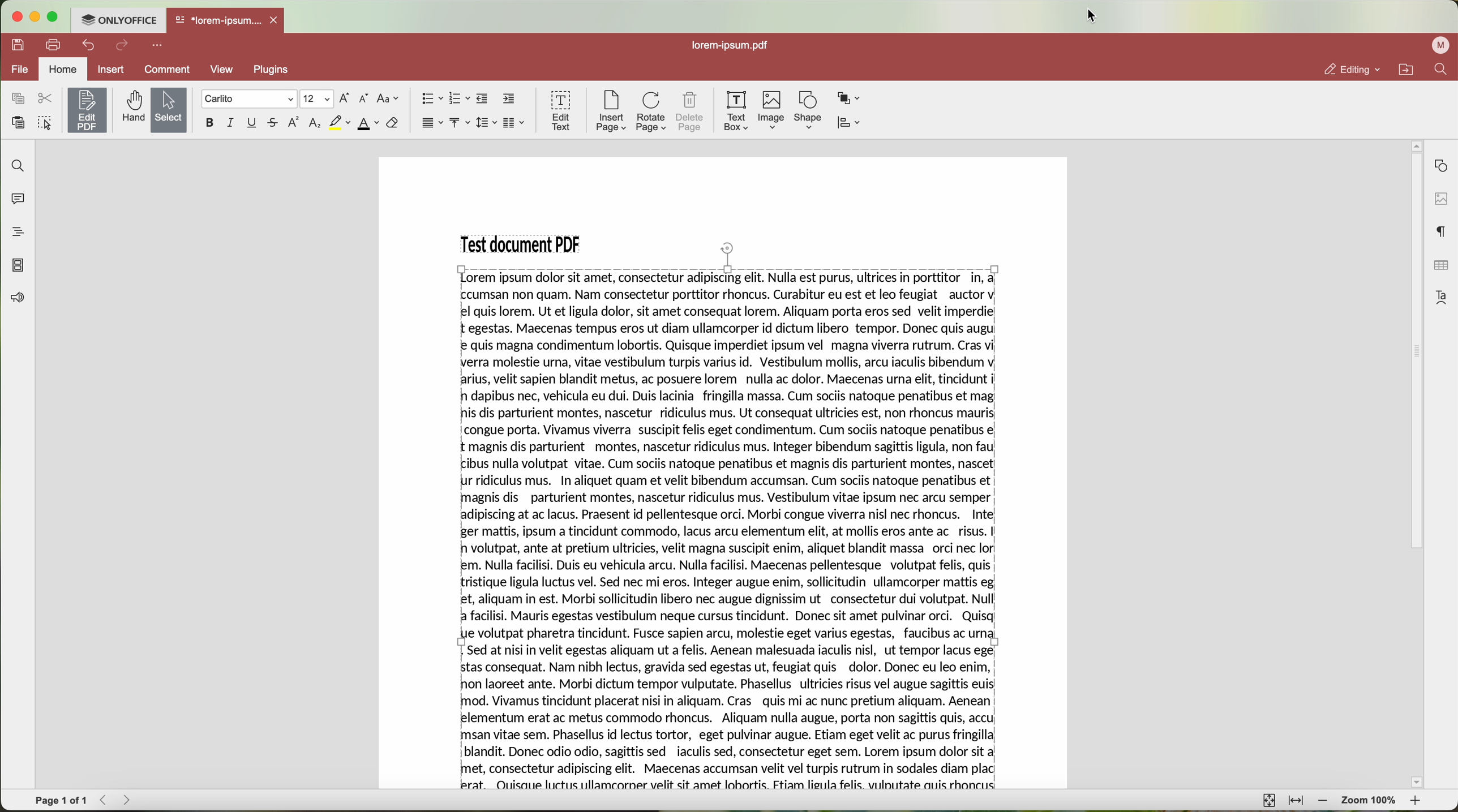 The height and width of the screenshot is (812, 1458). Describe the element at coordinates (1405, 69) in the screenshot. I see `open file location` at that location.